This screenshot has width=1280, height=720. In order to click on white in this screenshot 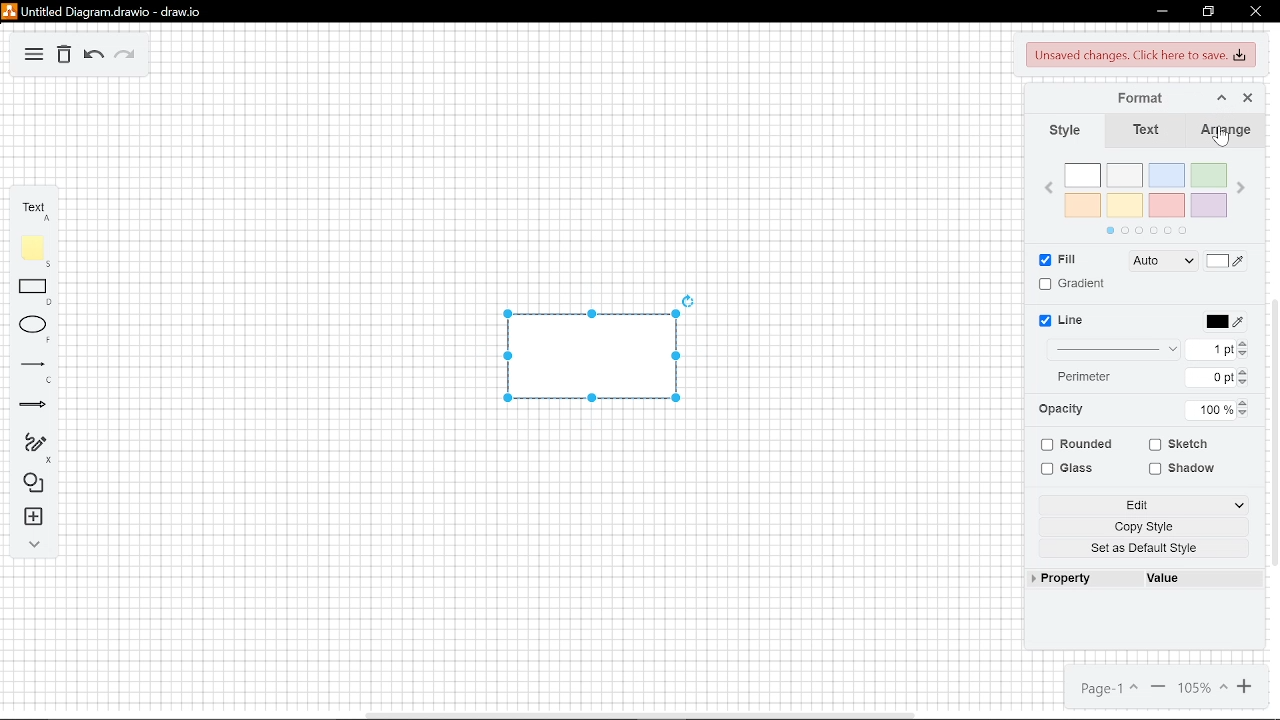, I will do `click(1082, 176)`.